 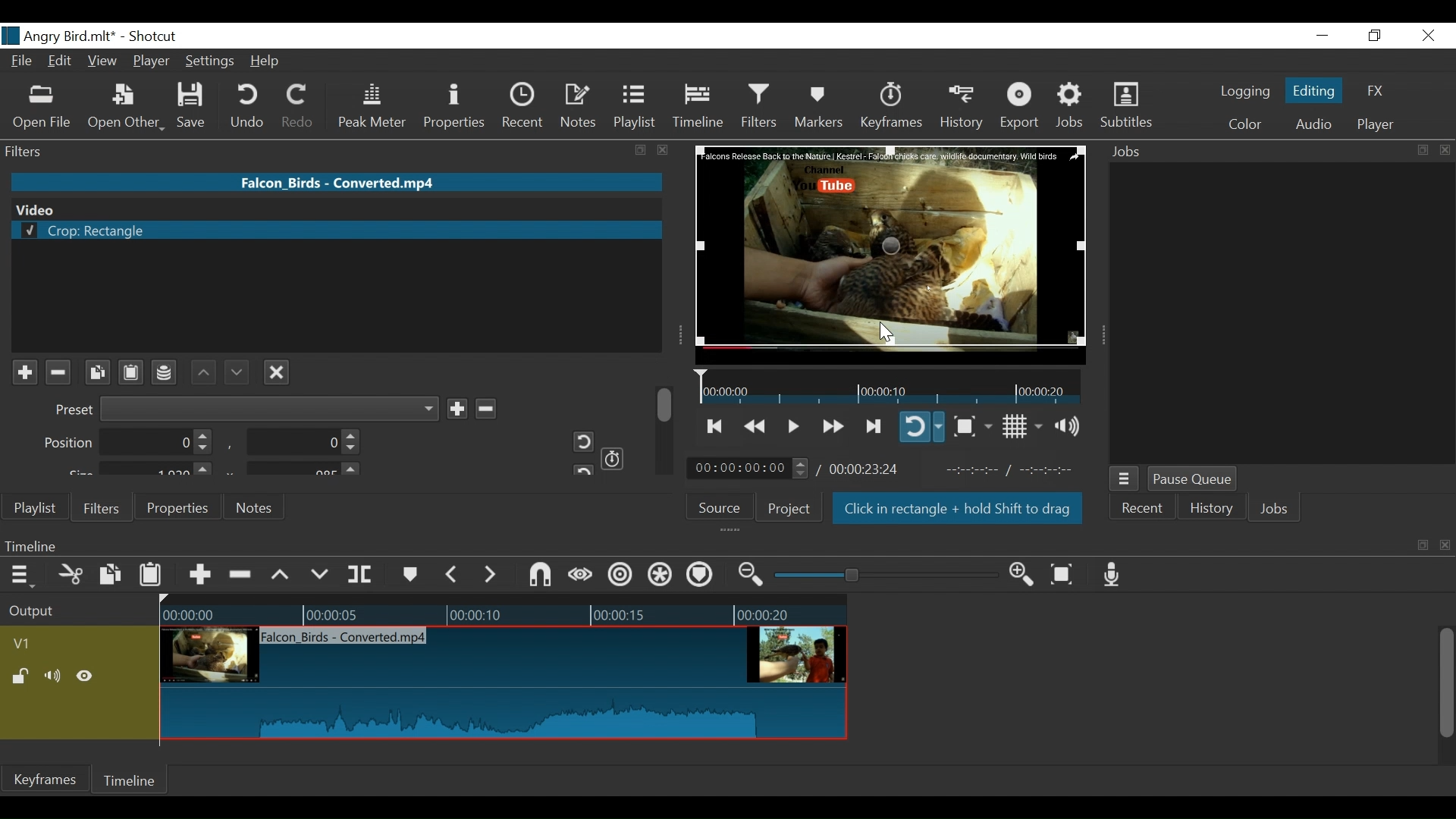 What do you see at coordinates (360, 575) in the screenshot?
I see `Split at playhead` at bounding box center [360, 575].